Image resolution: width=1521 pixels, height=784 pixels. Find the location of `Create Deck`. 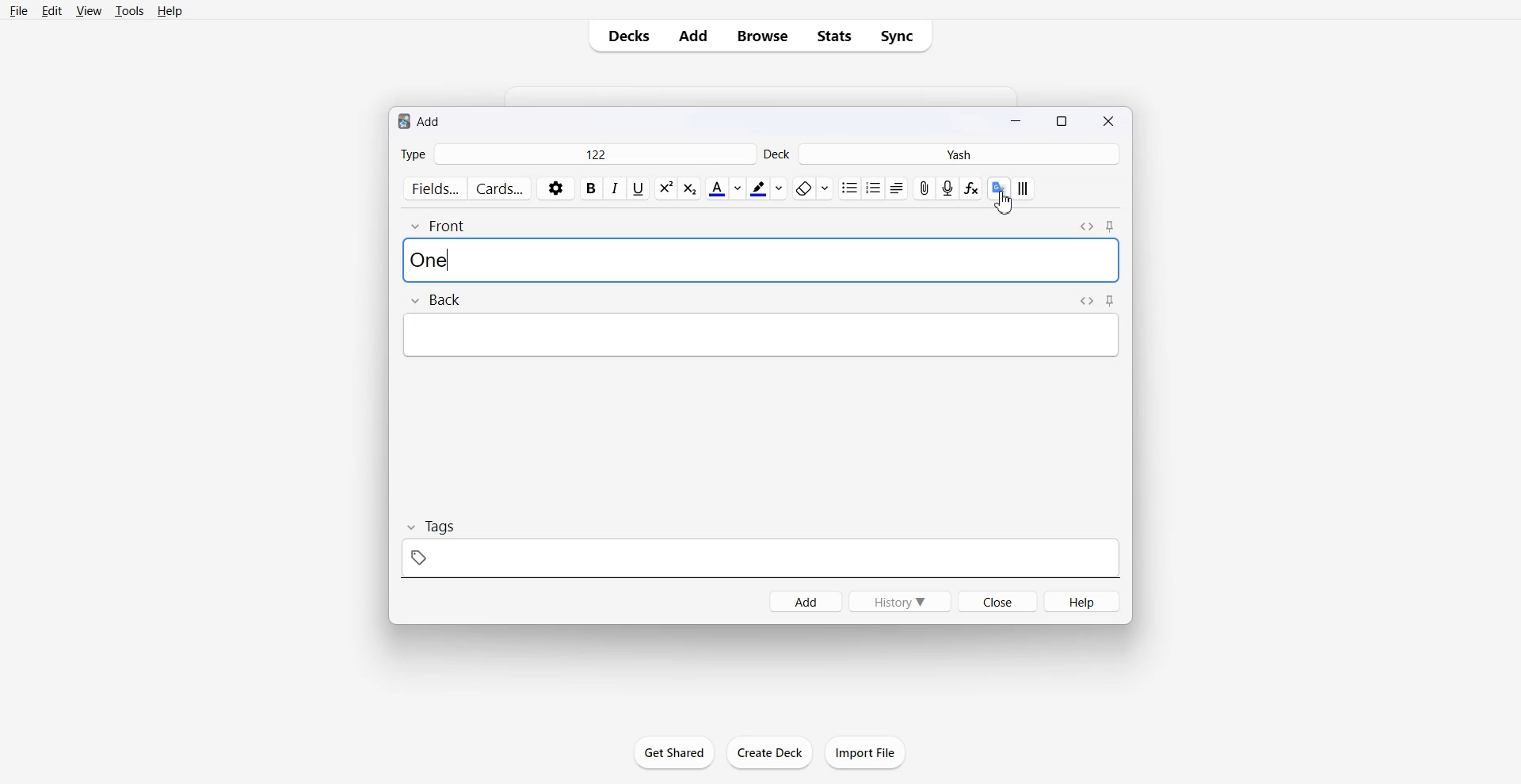

Create Deck is located at coordinates (769, 752).